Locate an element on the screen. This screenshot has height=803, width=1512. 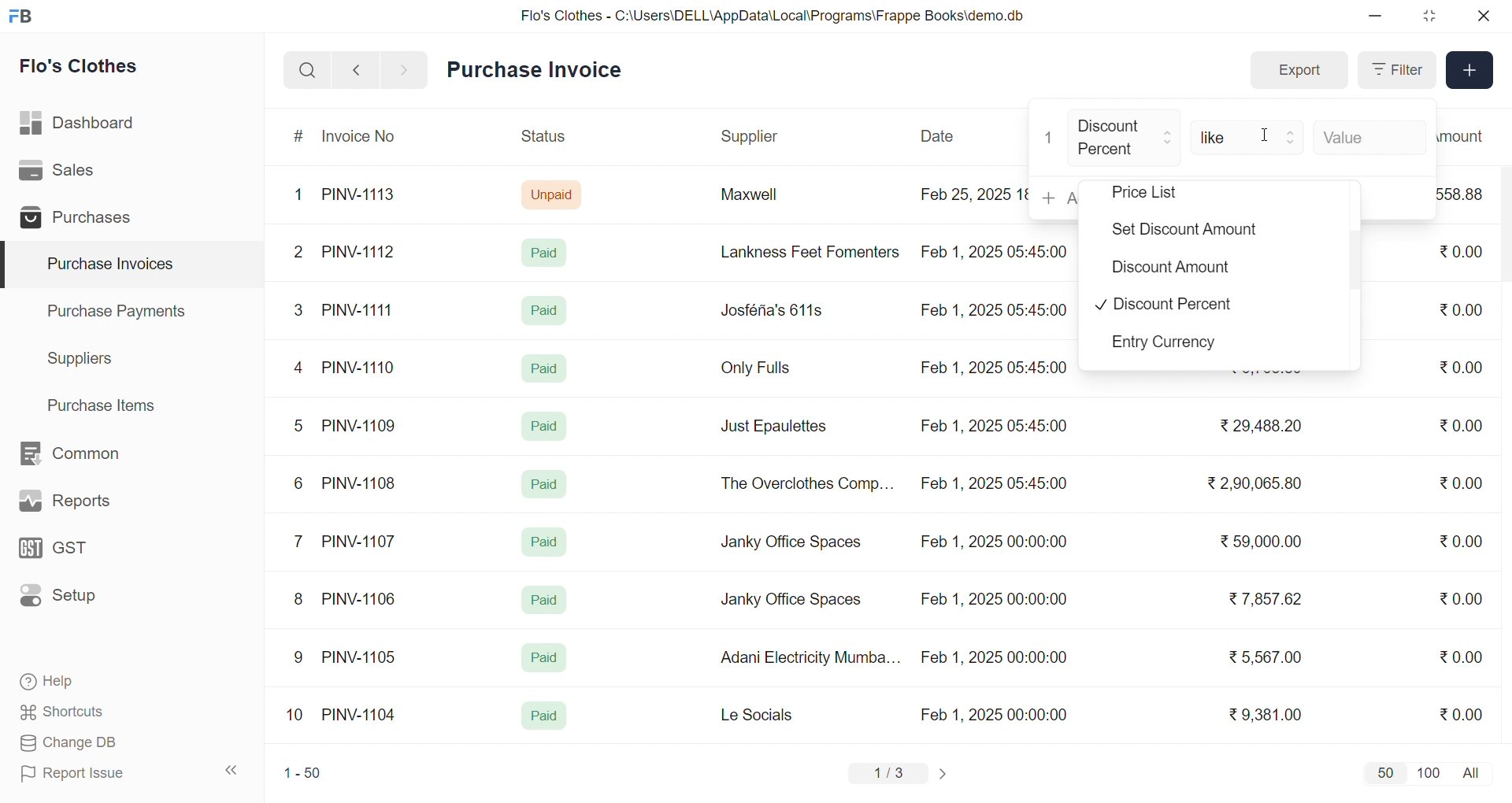
Paid is located at coordinates (545, 310).